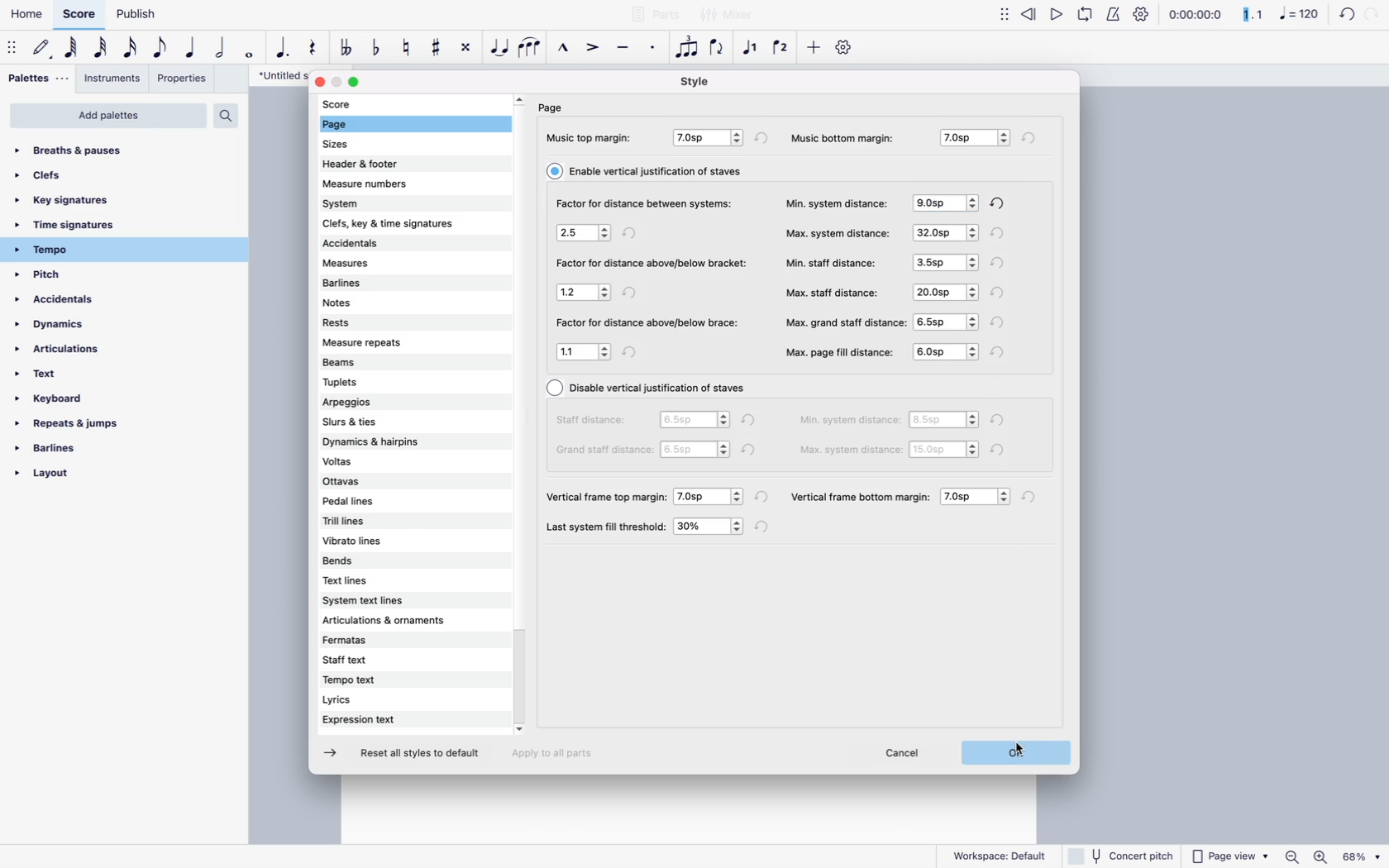 This screenshot has height=868, width=1389. What do you see at coordinates (396, 202) in the screenshot?
I see `system` at bounding box center [396, 202].